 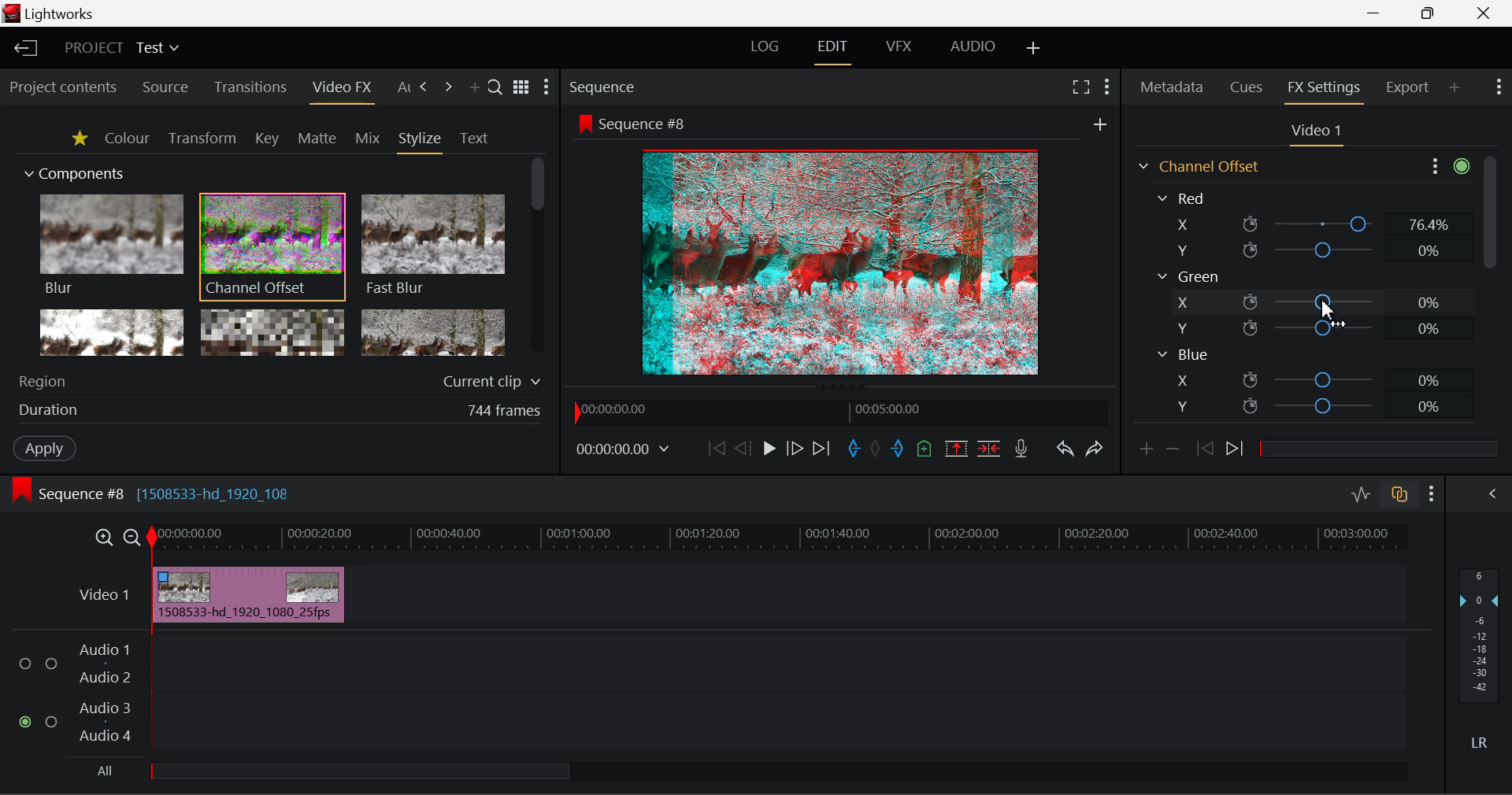 What do you see at coordinates (1408, 87) in the screenshot?
I see `Export` at bounding box center [1408, 87].